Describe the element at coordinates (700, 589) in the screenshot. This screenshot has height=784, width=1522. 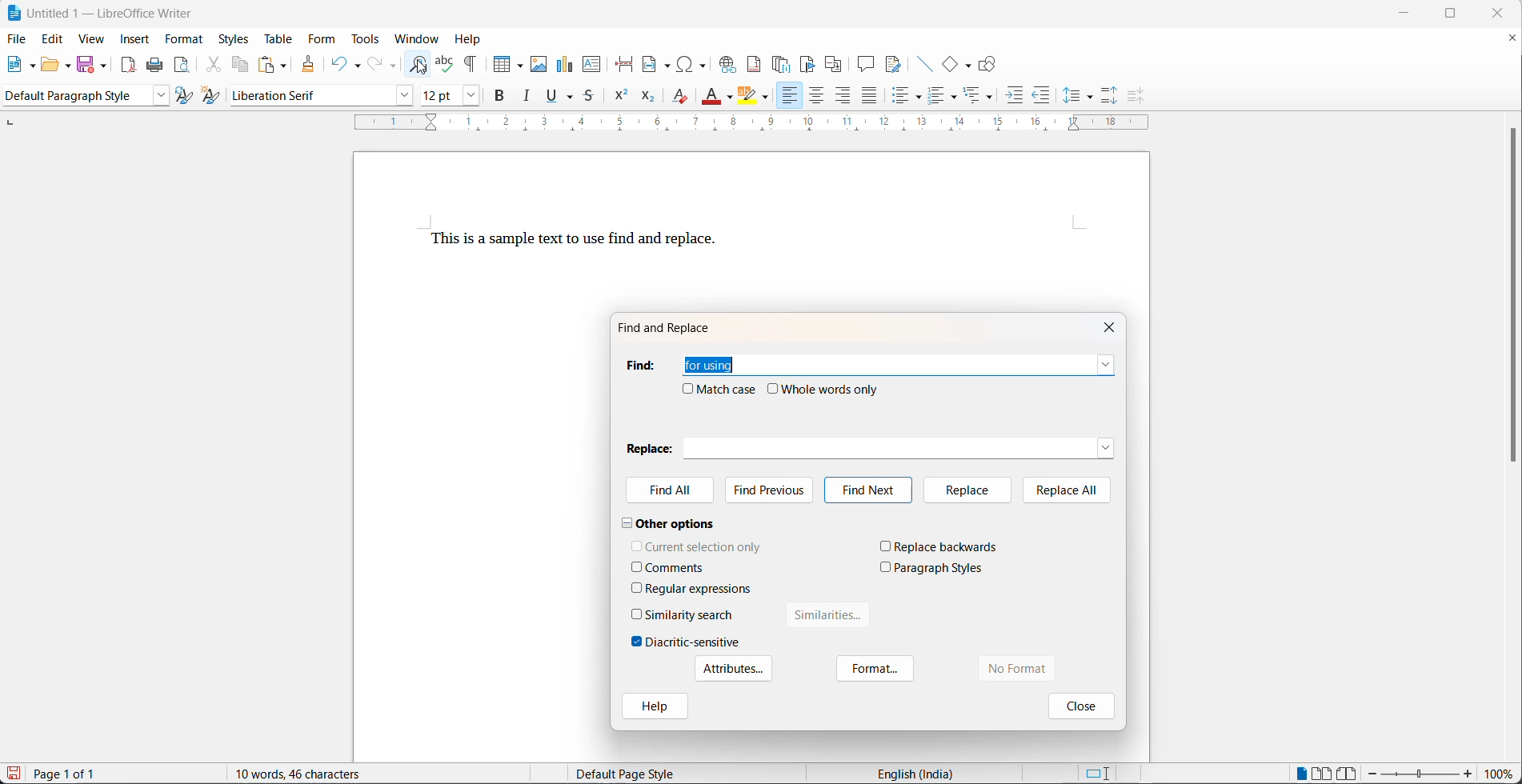
I see `regular expressions` at that location.